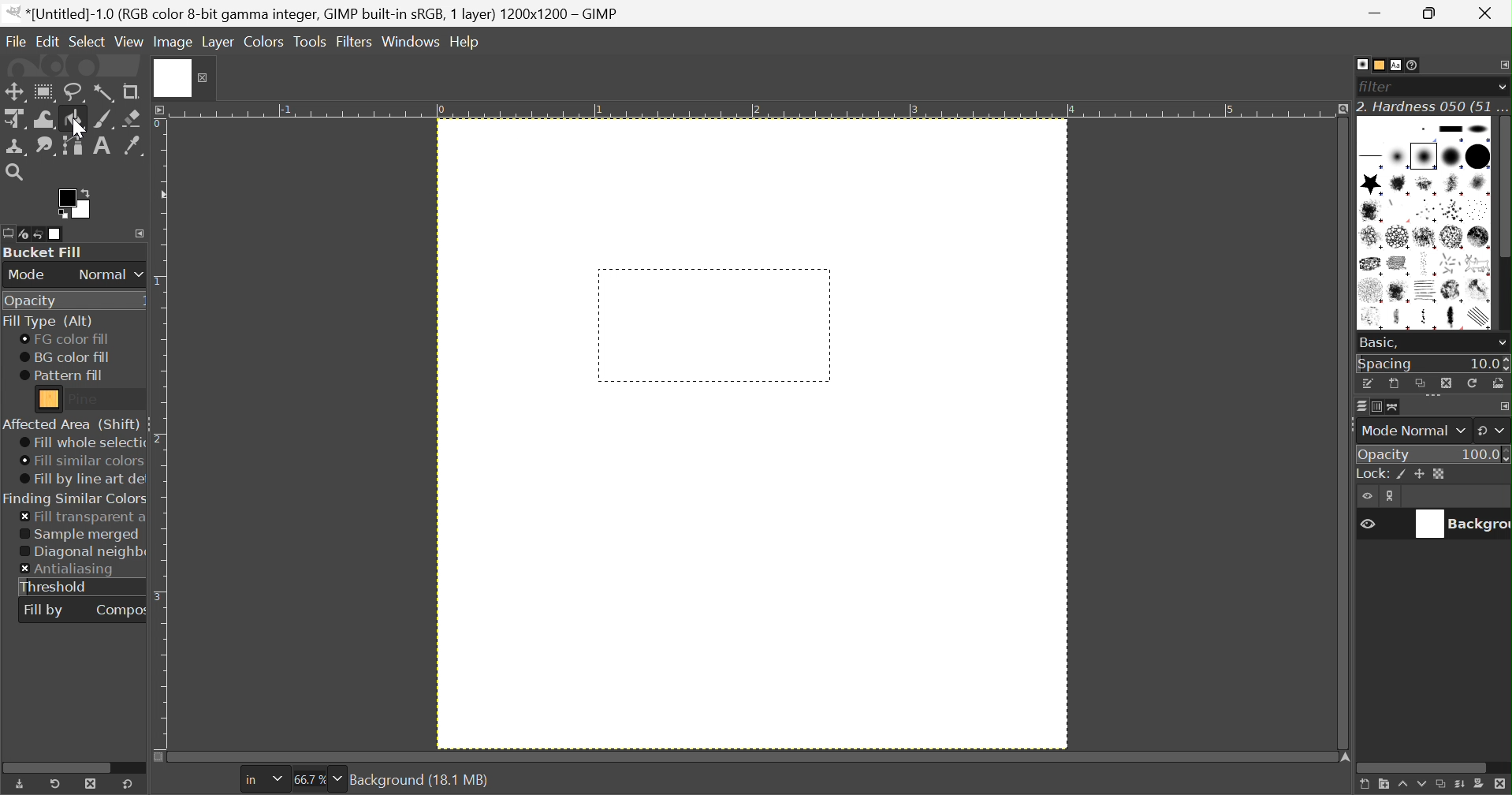 The width and height of the screenshot is (1512, 795). What do you see at coordinates (1502, 87) in the screenshot?
I see `Drop down` at bounding box center [1502, 87].